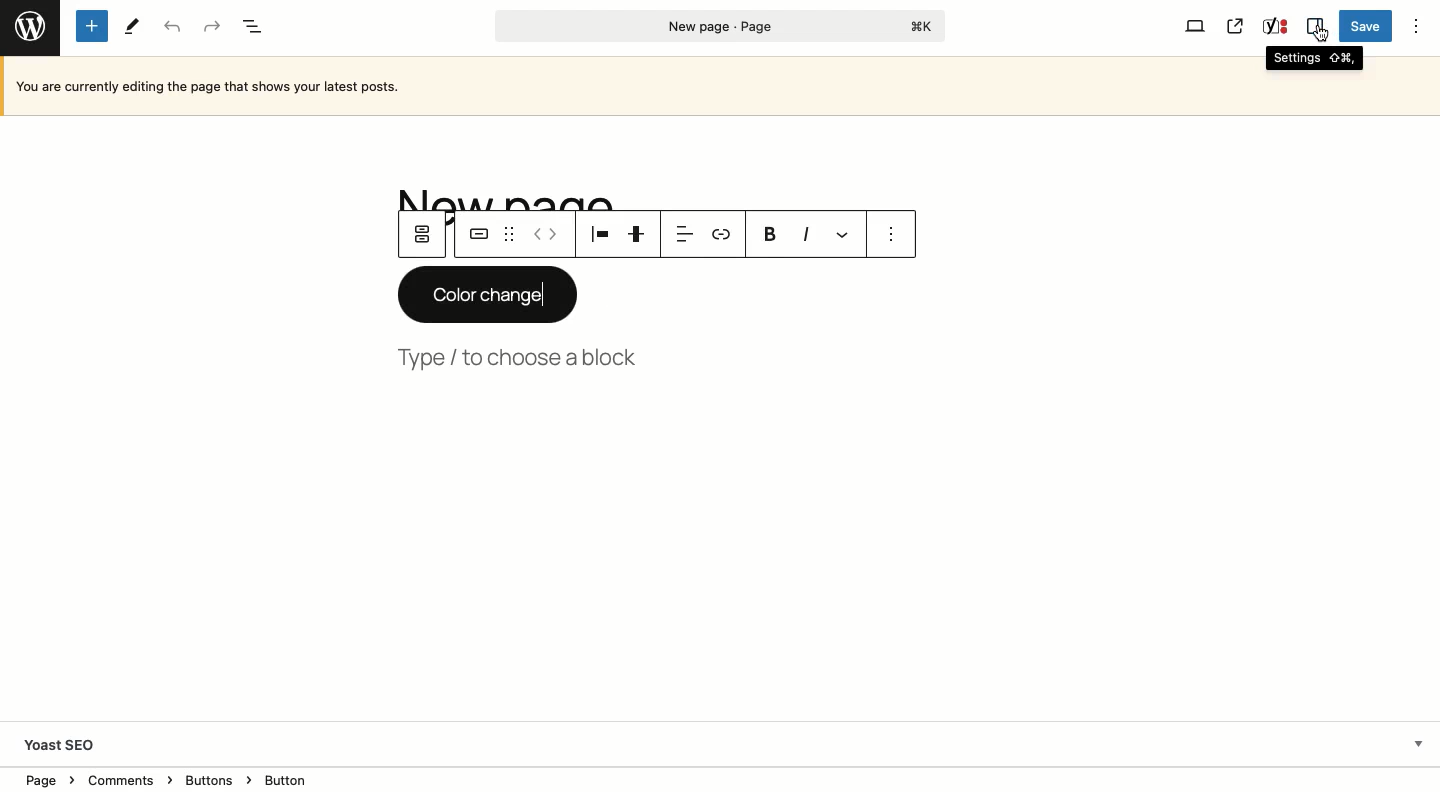 The image size is (1440, 792). I want to click on Redo, so click(210, 27).